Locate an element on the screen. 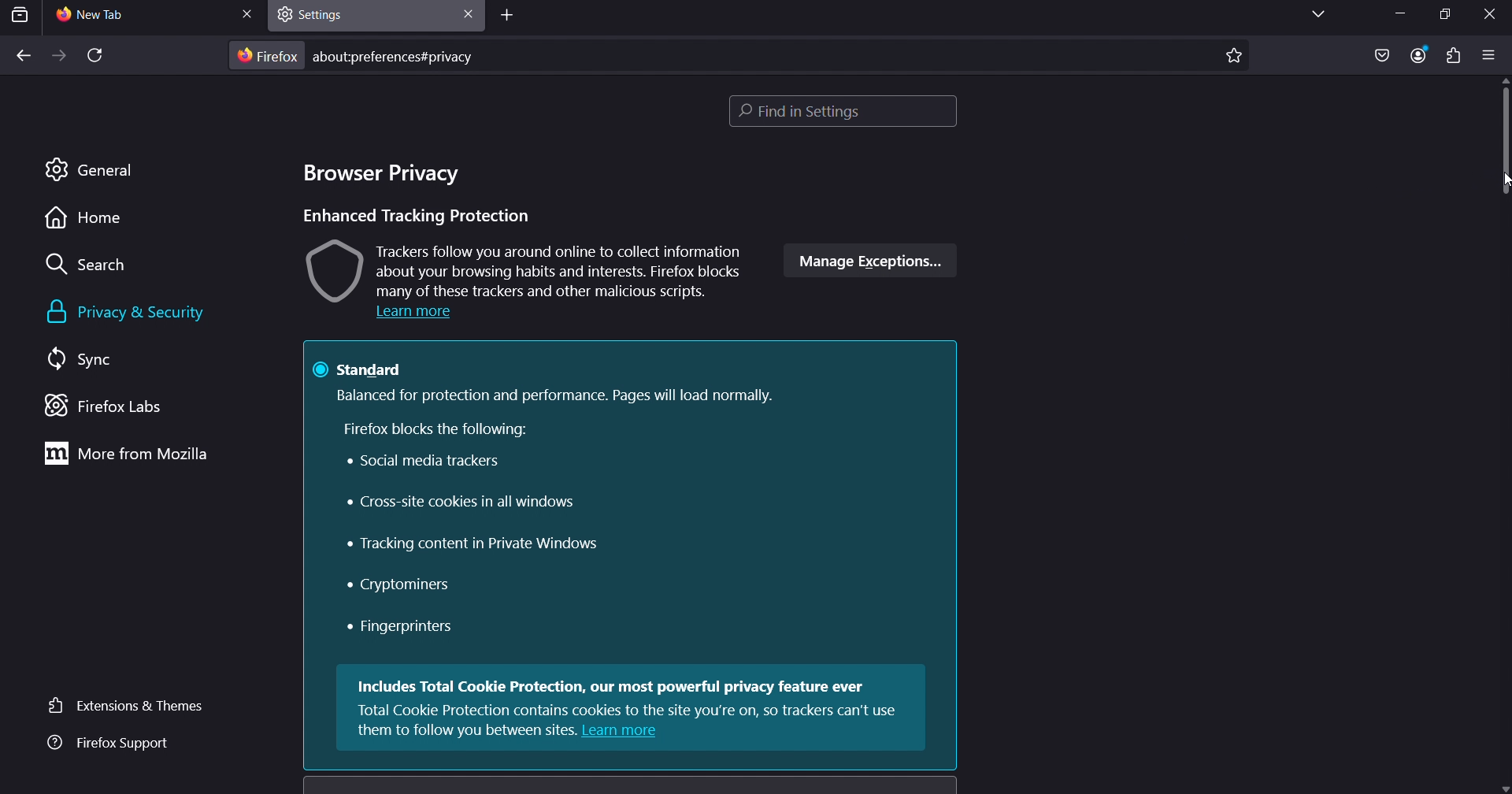 This screenshot has width=1512, height=794. back one page is located at coordinates (23, 57).